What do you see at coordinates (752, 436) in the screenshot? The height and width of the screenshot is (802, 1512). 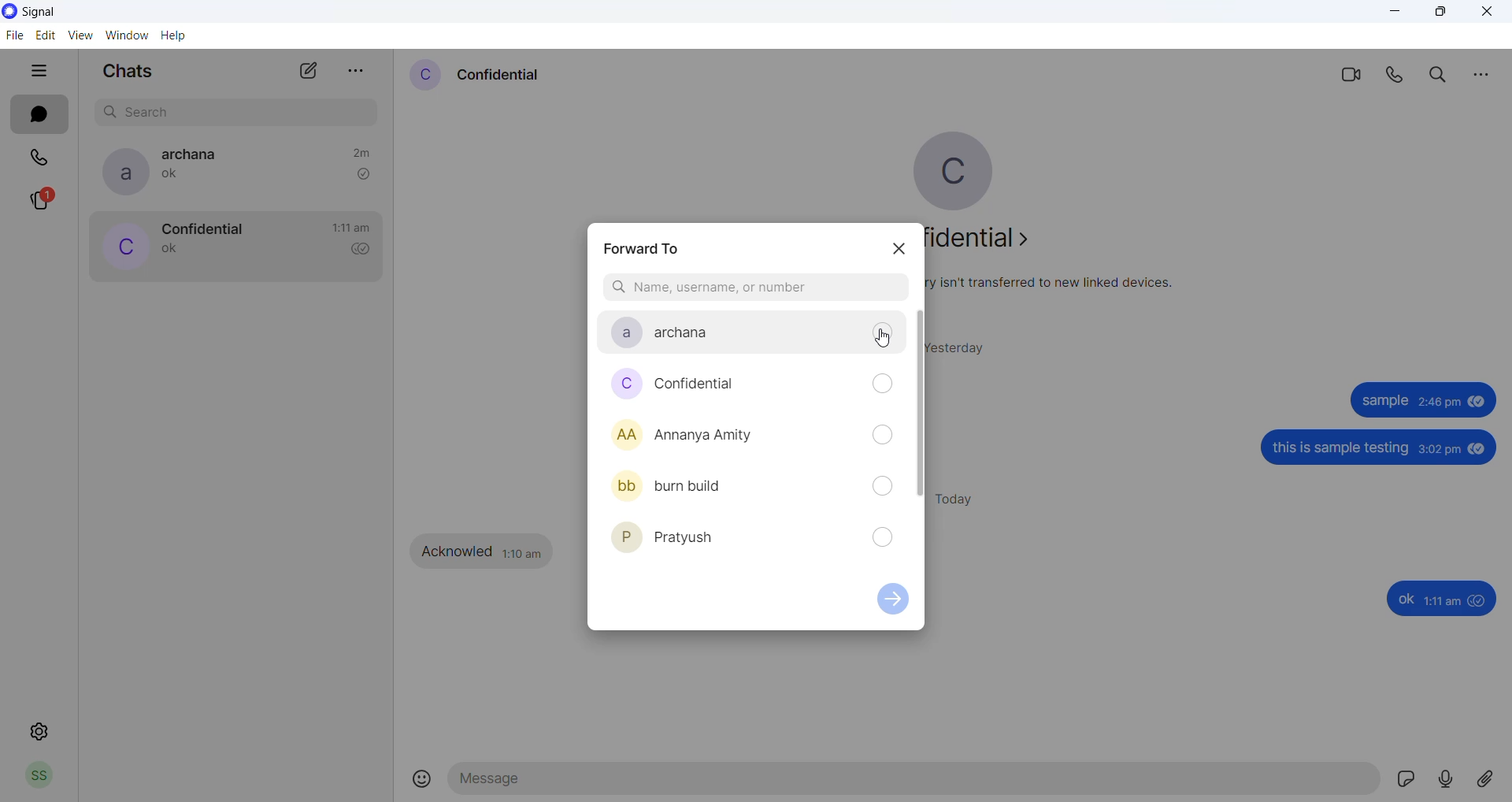 I see `saved contacts` at bounding box center [752, 436].